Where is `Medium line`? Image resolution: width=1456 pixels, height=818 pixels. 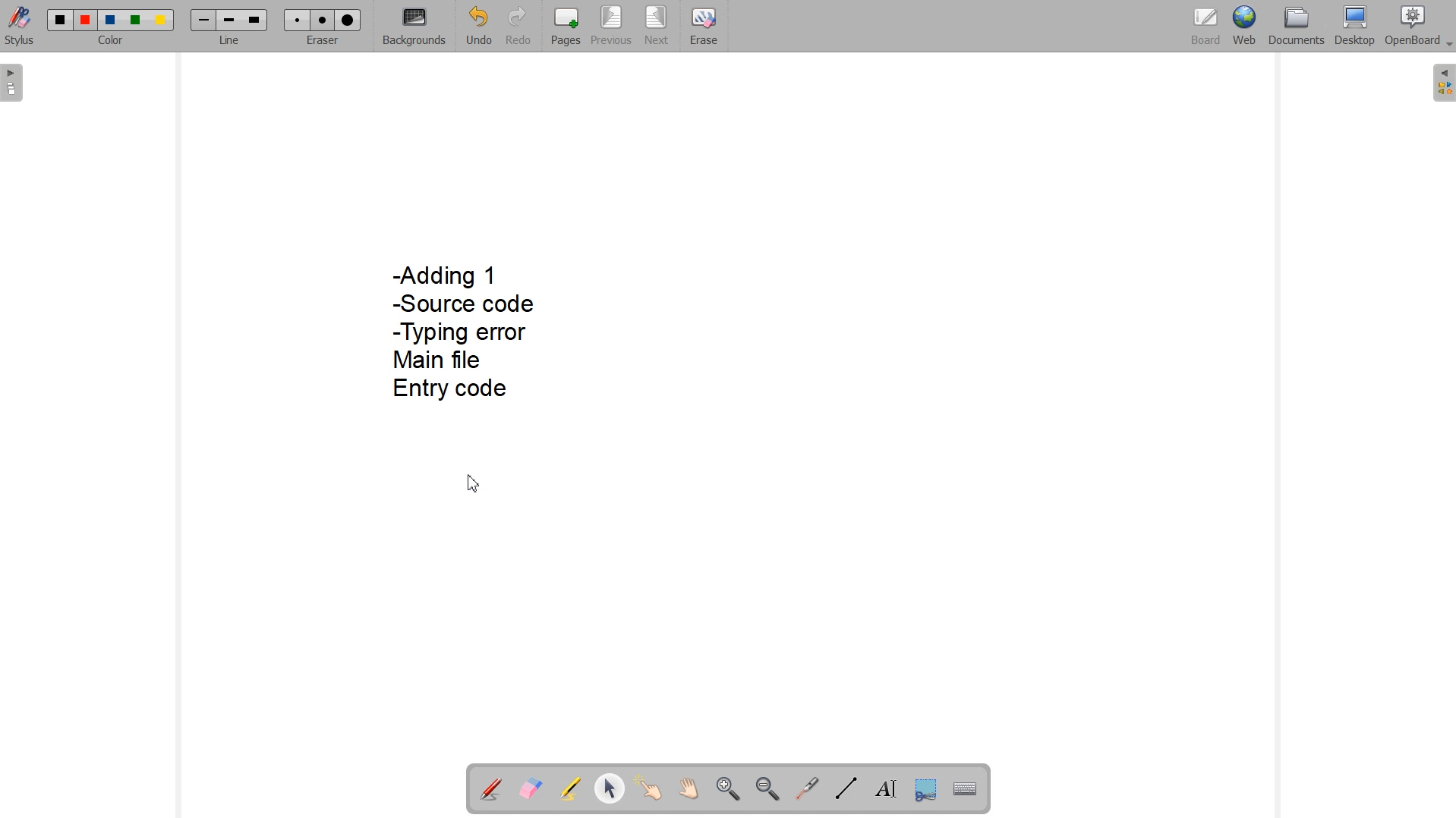 Medium line is located at coordinates (230, 20).